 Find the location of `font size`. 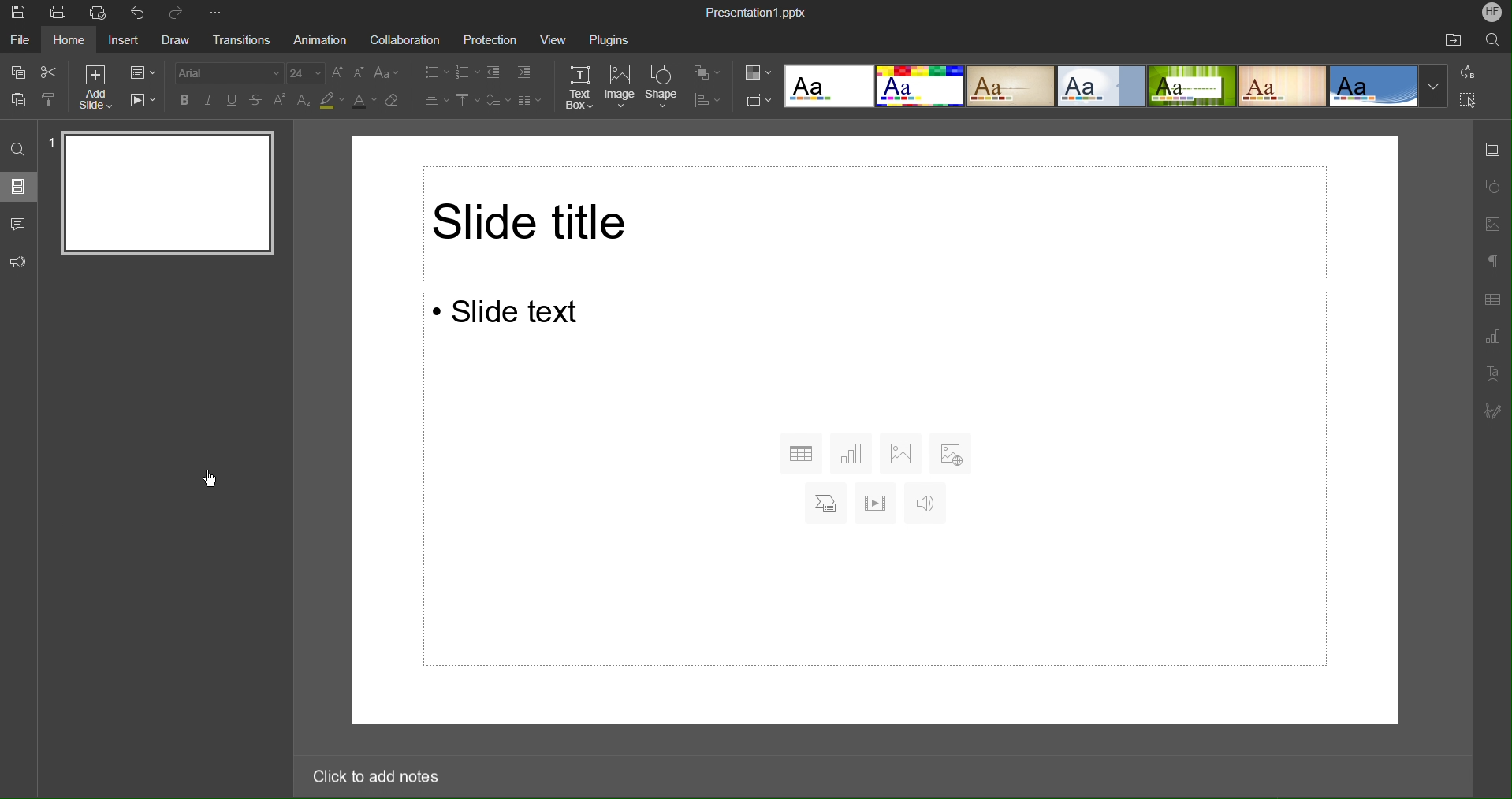

font size is located at coordinates (305, 73).